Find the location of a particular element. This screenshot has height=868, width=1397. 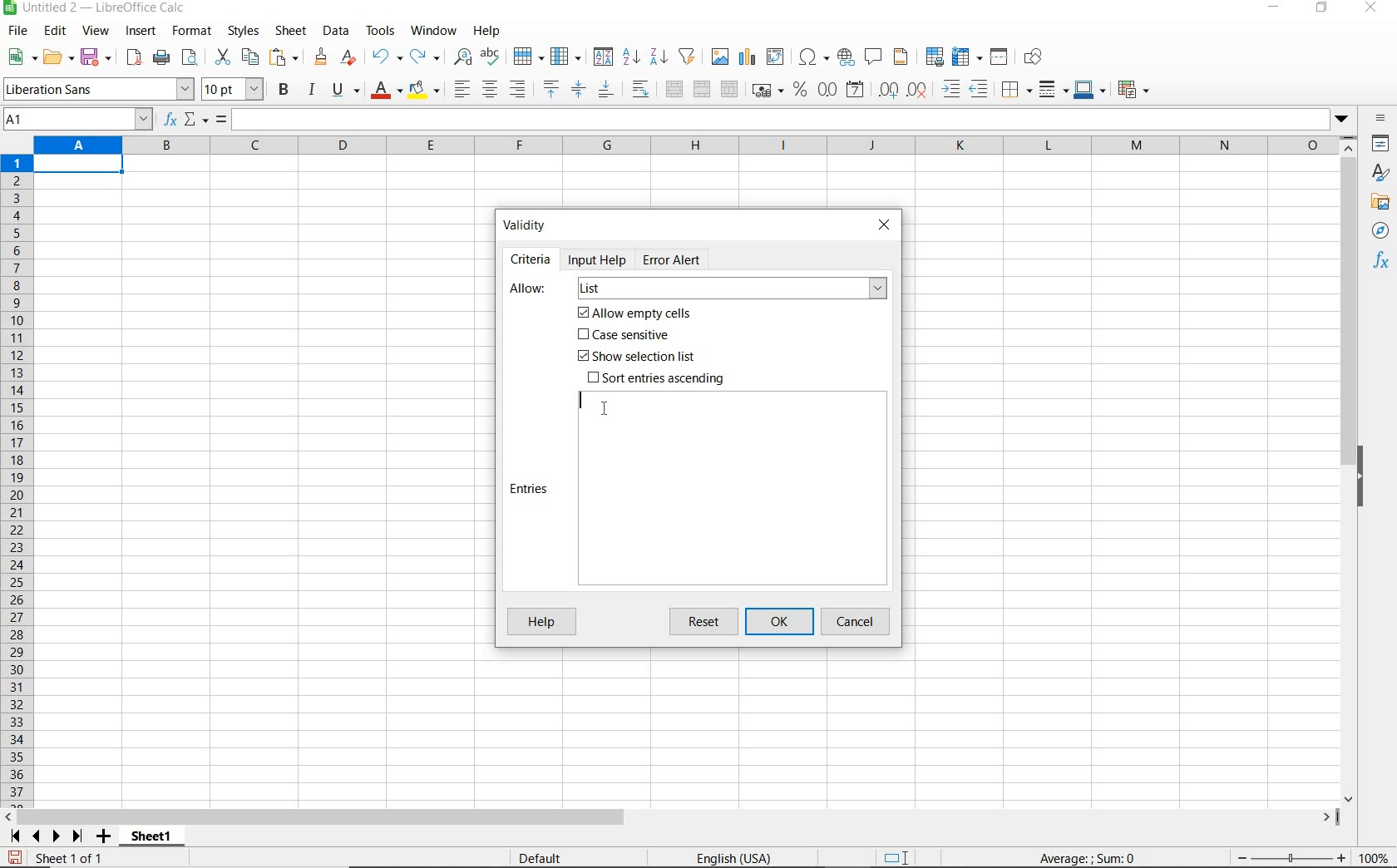

Allow empty cells is located at coordinates (636, 313).